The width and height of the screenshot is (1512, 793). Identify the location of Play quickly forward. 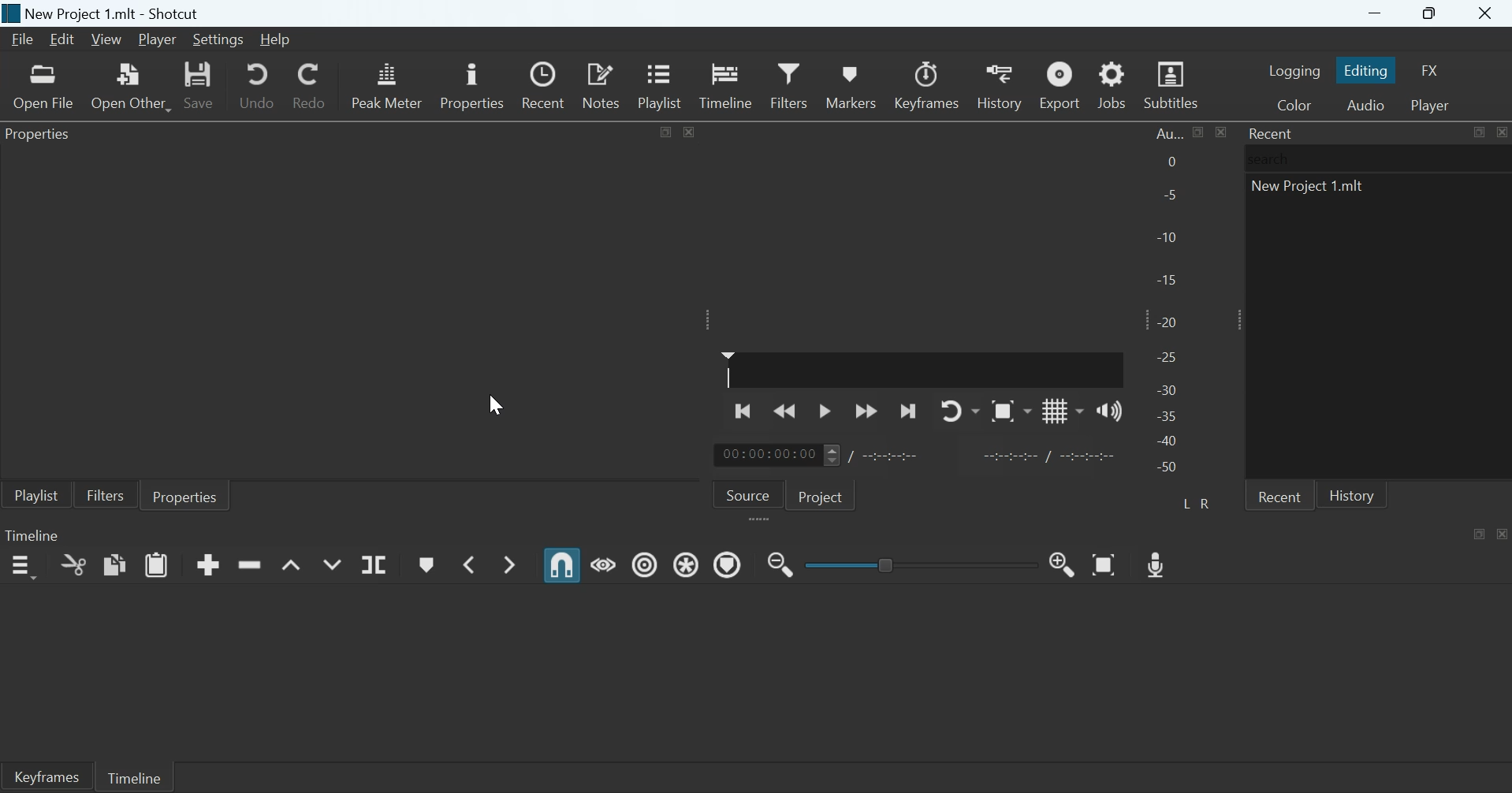
(866, 411).